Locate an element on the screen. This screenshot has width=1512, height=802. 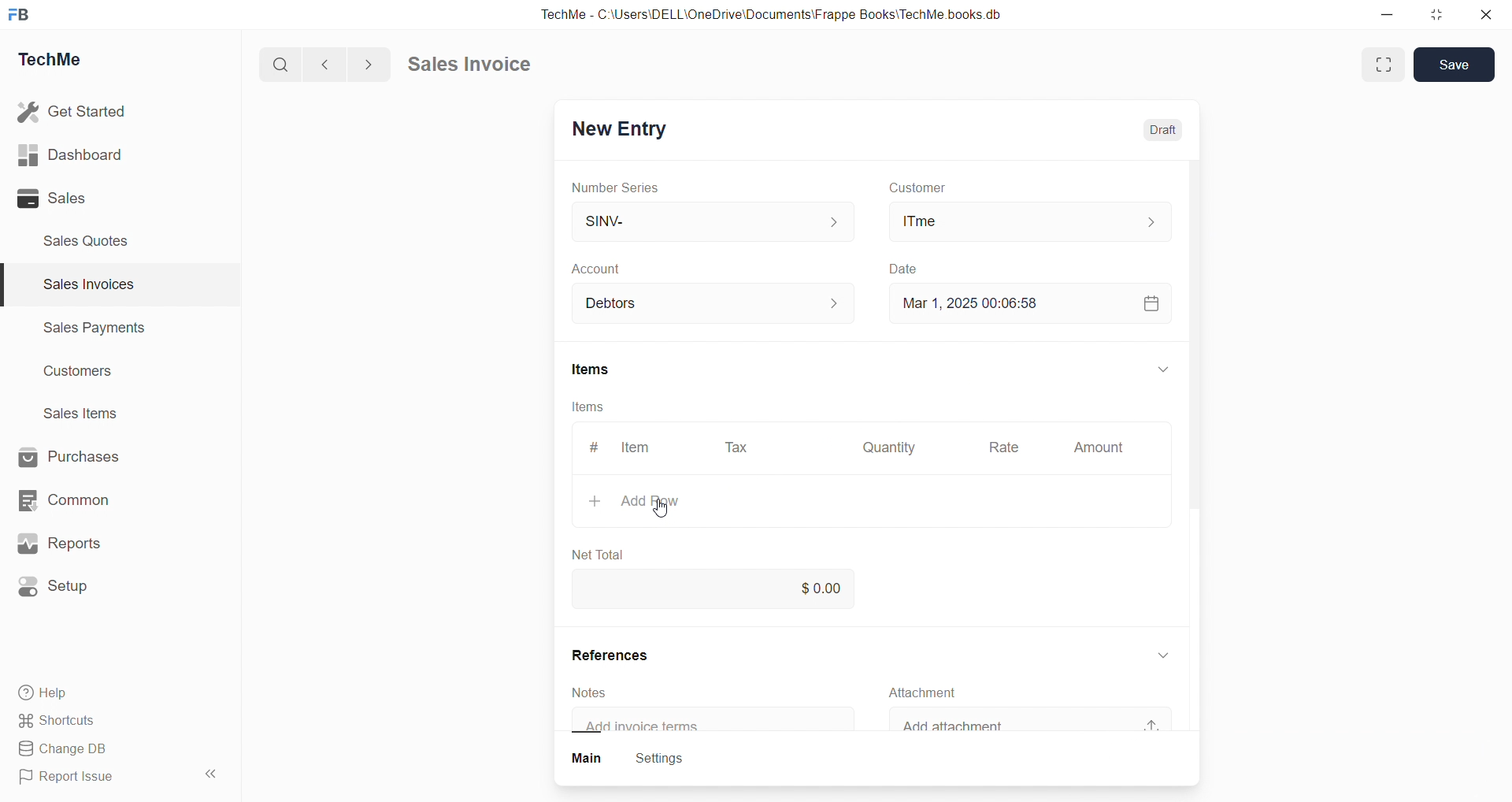
Net Total is located at coordinates (607, 550).